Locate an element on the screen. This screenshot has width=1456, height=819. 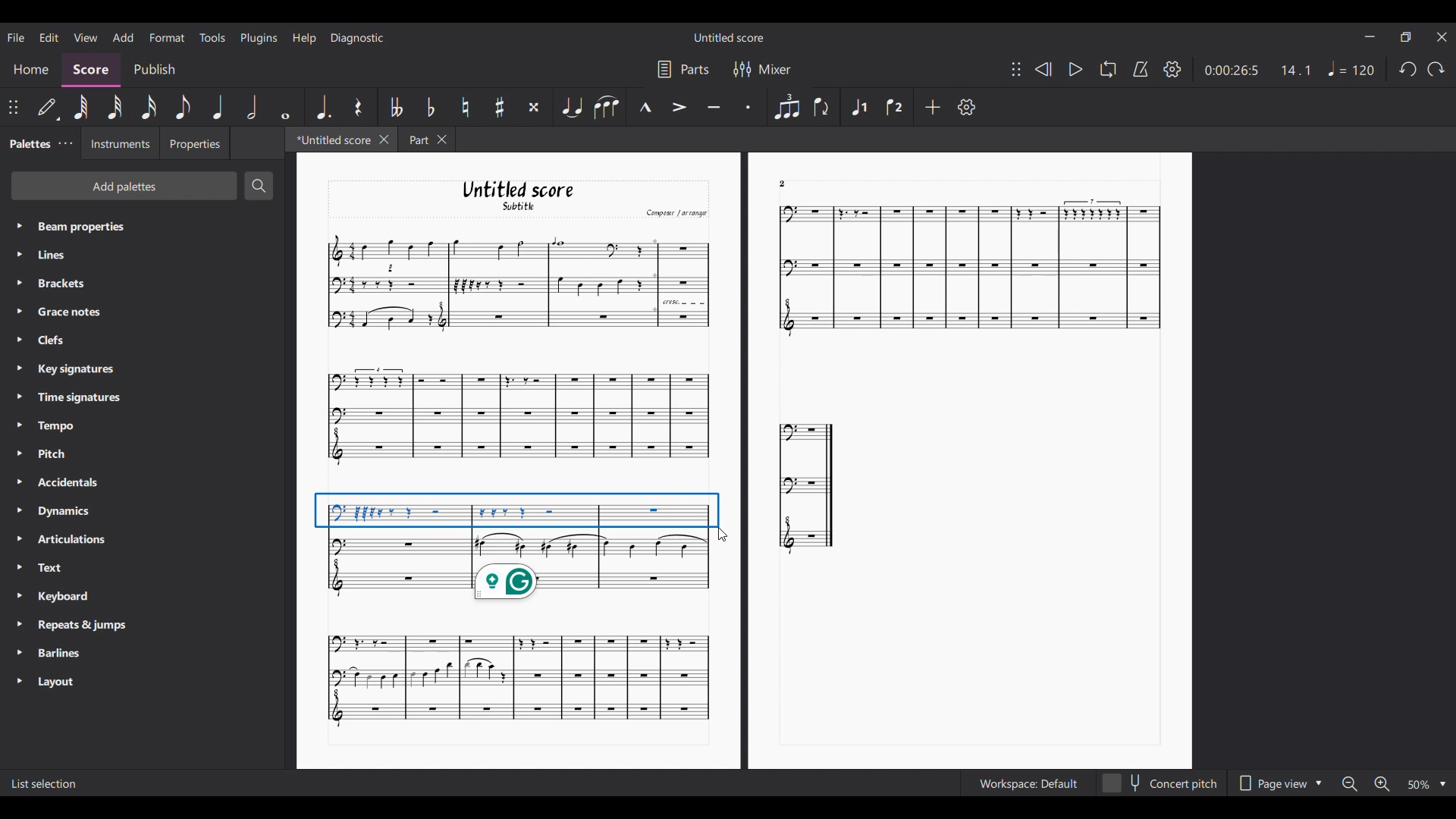
Add is located at coordinates (934, 107).